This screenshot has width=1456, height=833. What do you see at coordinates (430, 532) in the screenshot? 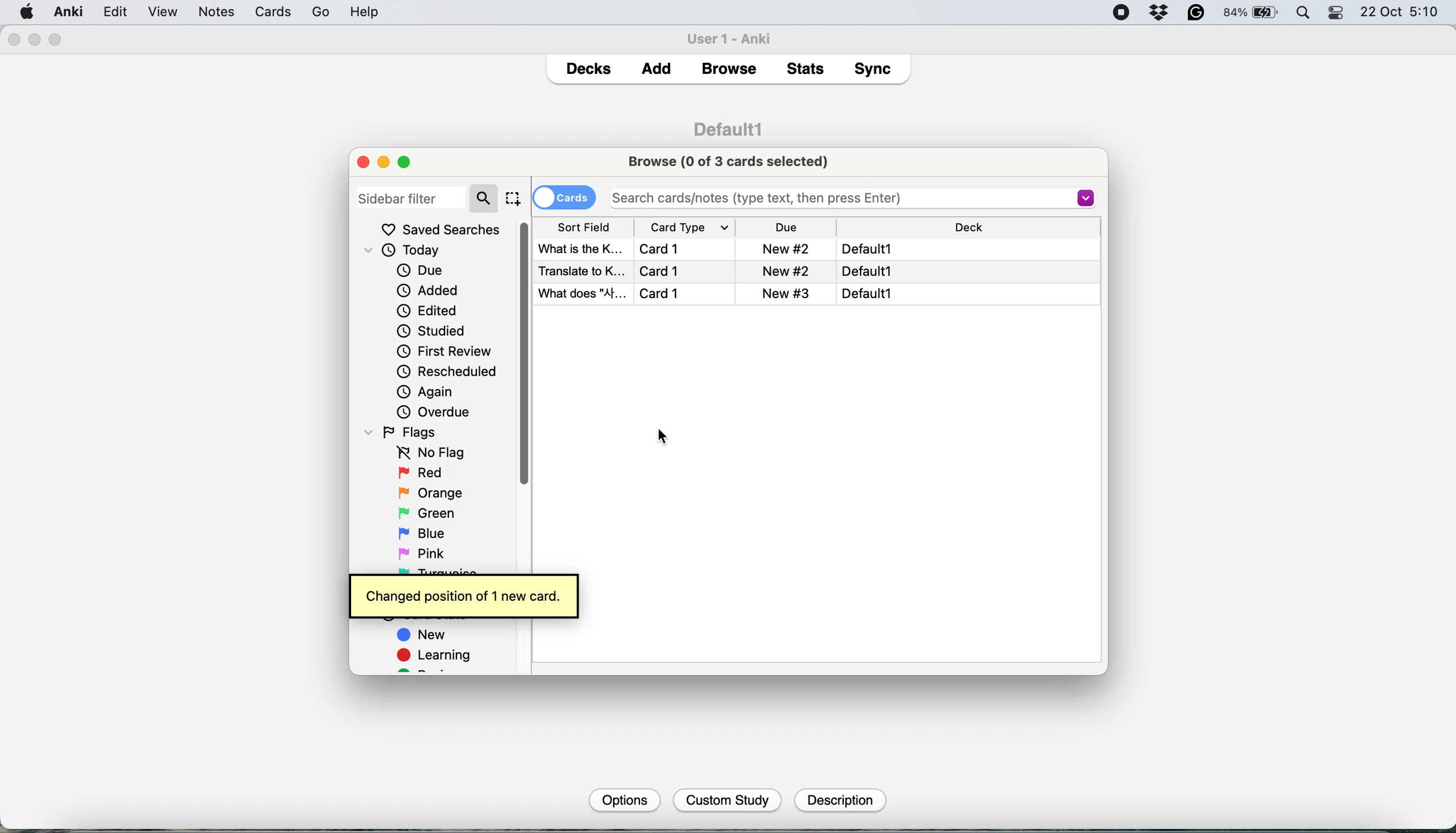
I see `blue` at bounding box center [430, 532].